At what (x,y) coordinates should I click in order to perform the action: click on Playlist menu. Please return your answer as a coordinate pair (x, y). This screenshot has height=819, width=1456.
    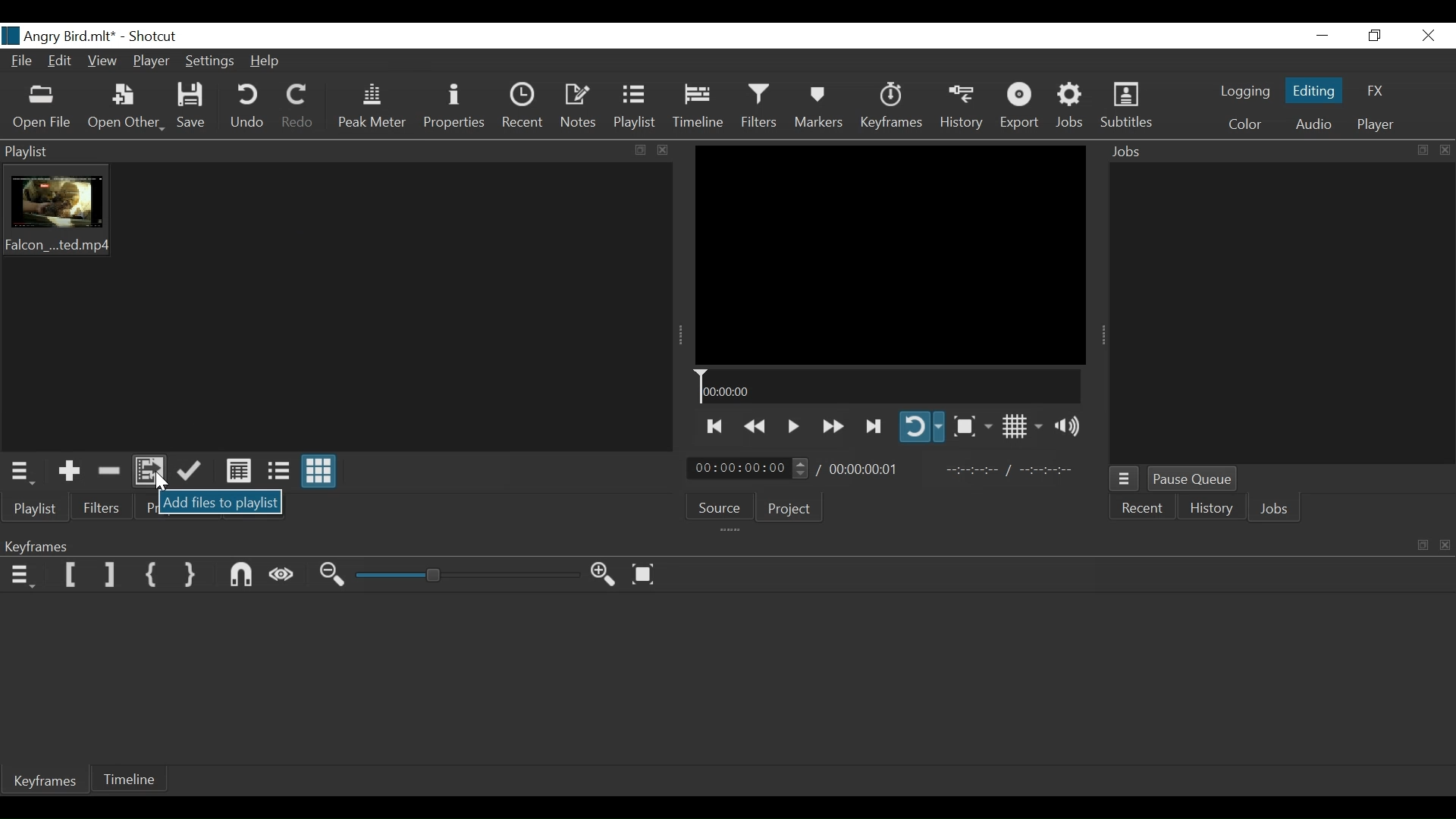
    Looking at the image, I should click on (343, 154).